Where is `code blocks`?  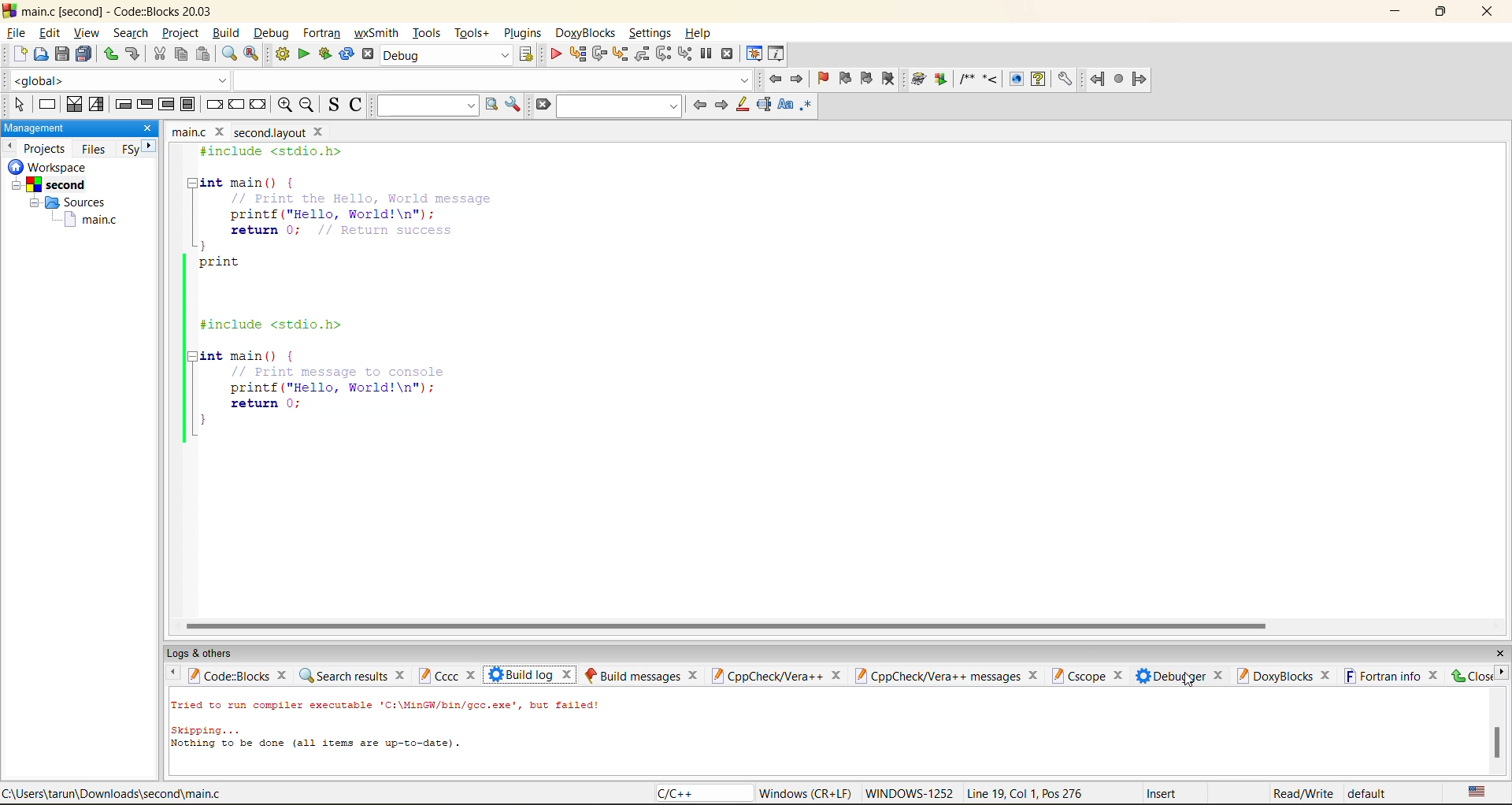
code blocks is located at coordinates (240, 677).